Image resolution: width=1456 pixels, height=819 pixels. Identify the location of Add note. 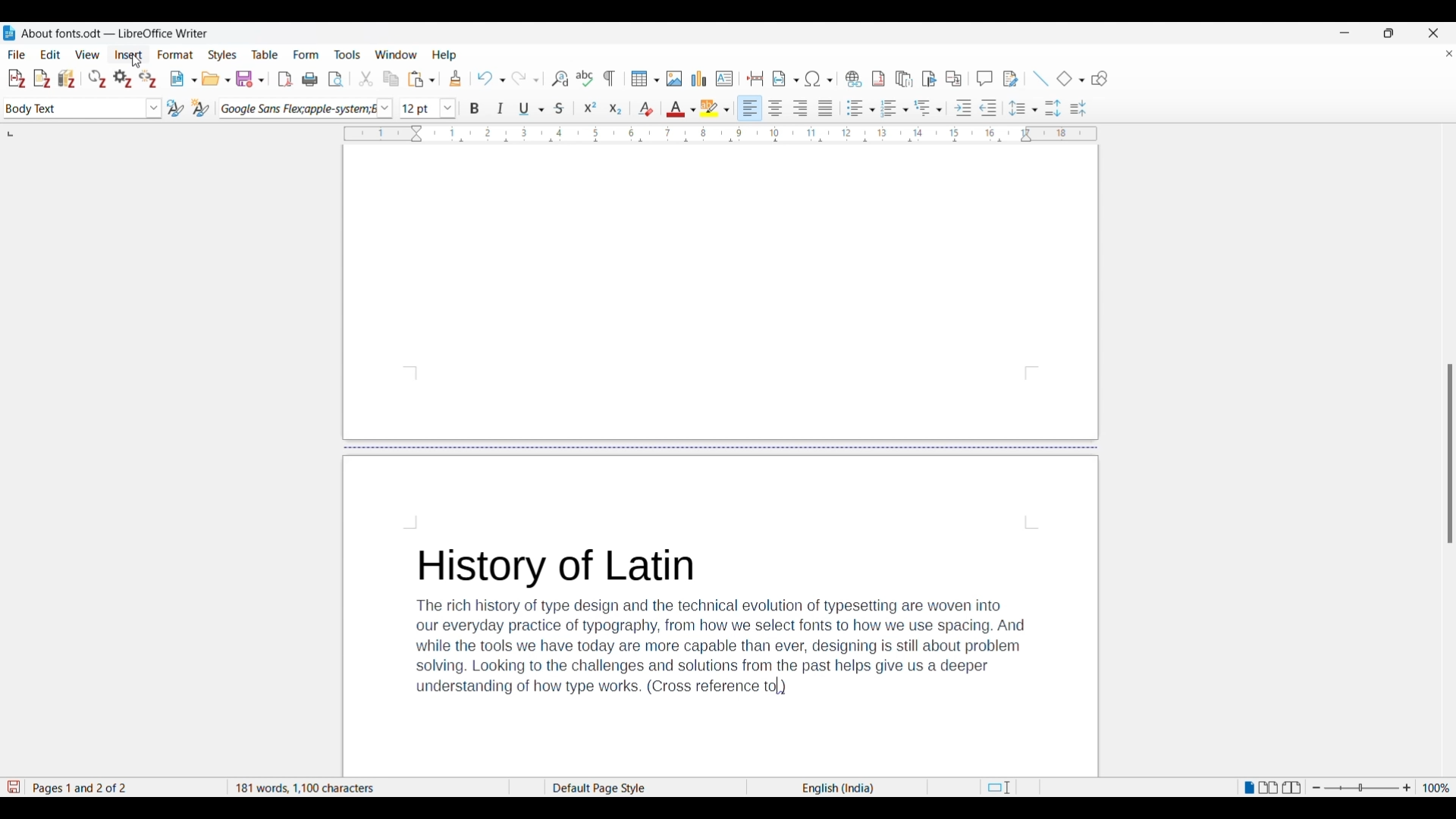
(42, 79).